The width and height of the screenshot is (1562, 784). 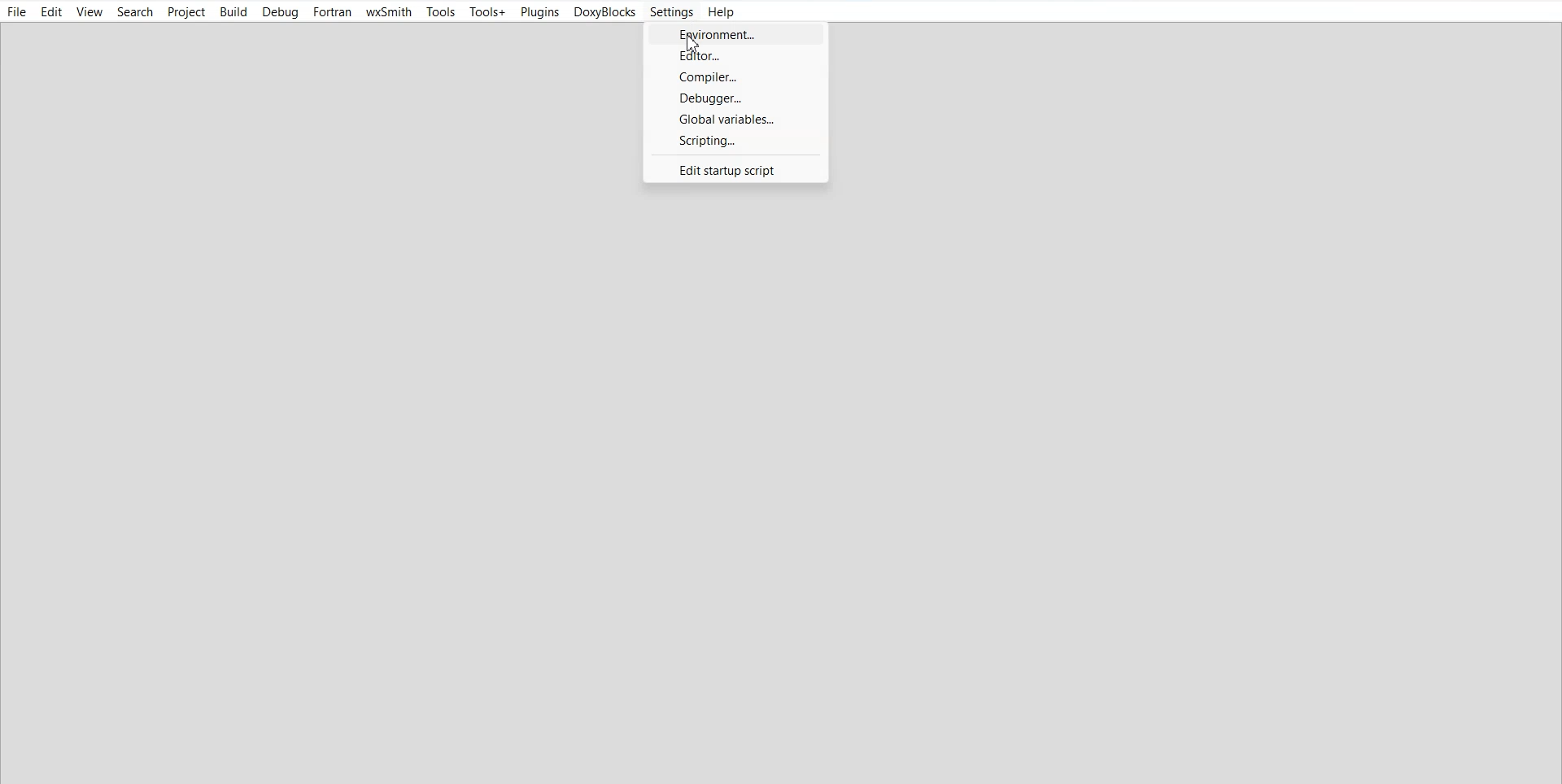 I want to click on DoxyBlocks, so click(x=605, y=12).